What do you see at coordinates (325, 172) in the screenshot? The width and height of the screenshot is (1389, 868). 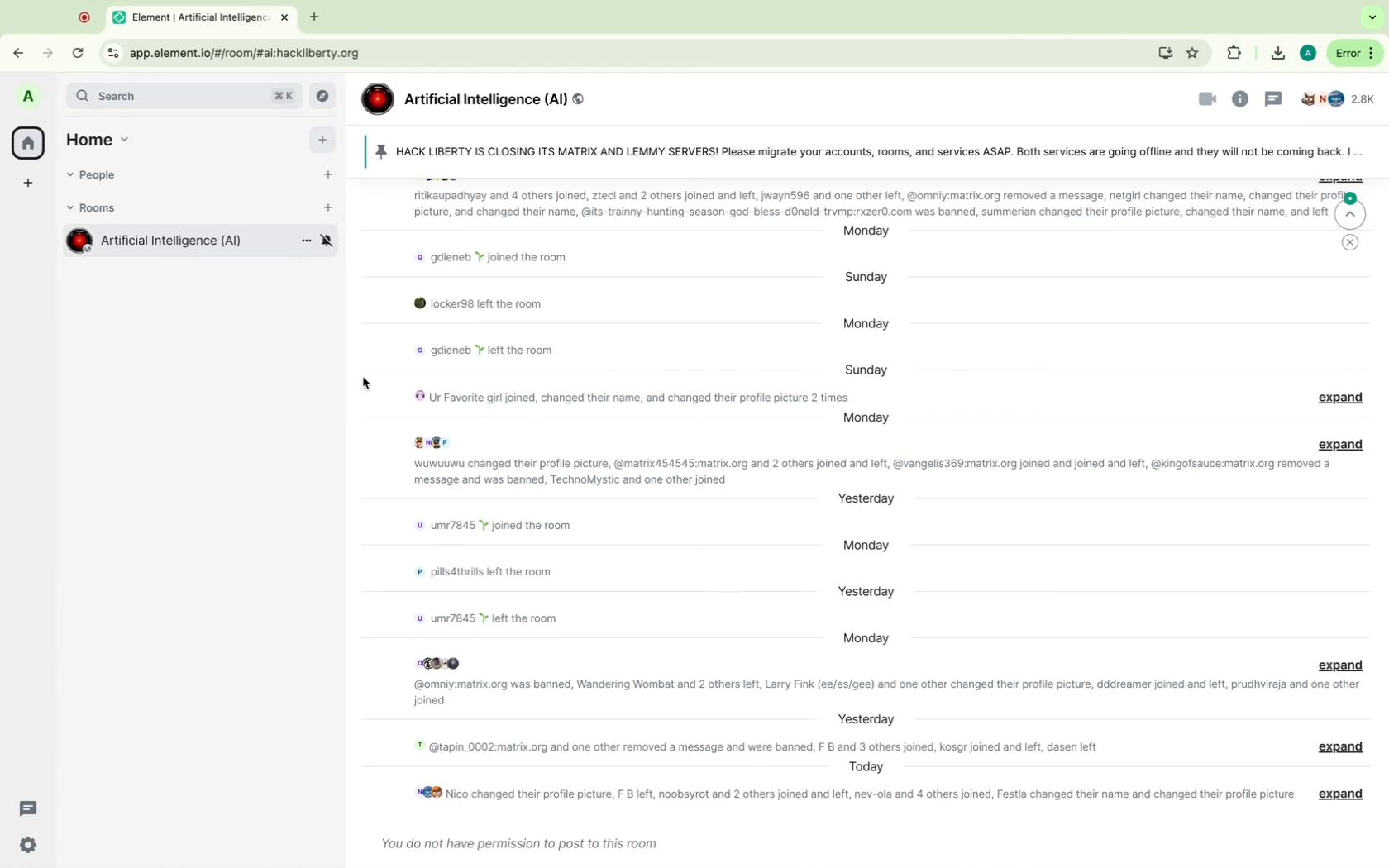 I see `start chat` at bounding box center [325, 172].